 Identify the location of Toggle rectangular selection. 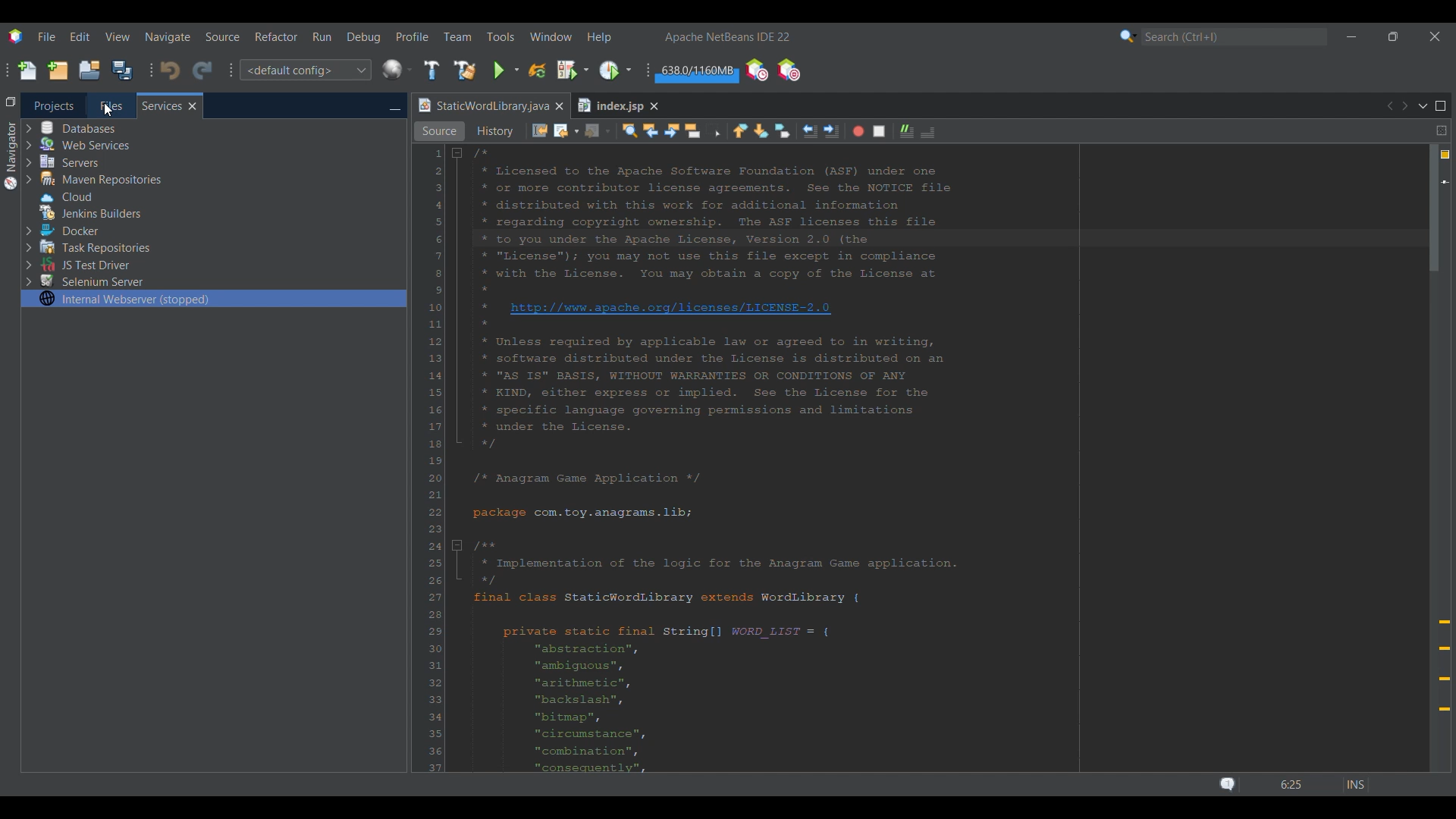
(713, 130).